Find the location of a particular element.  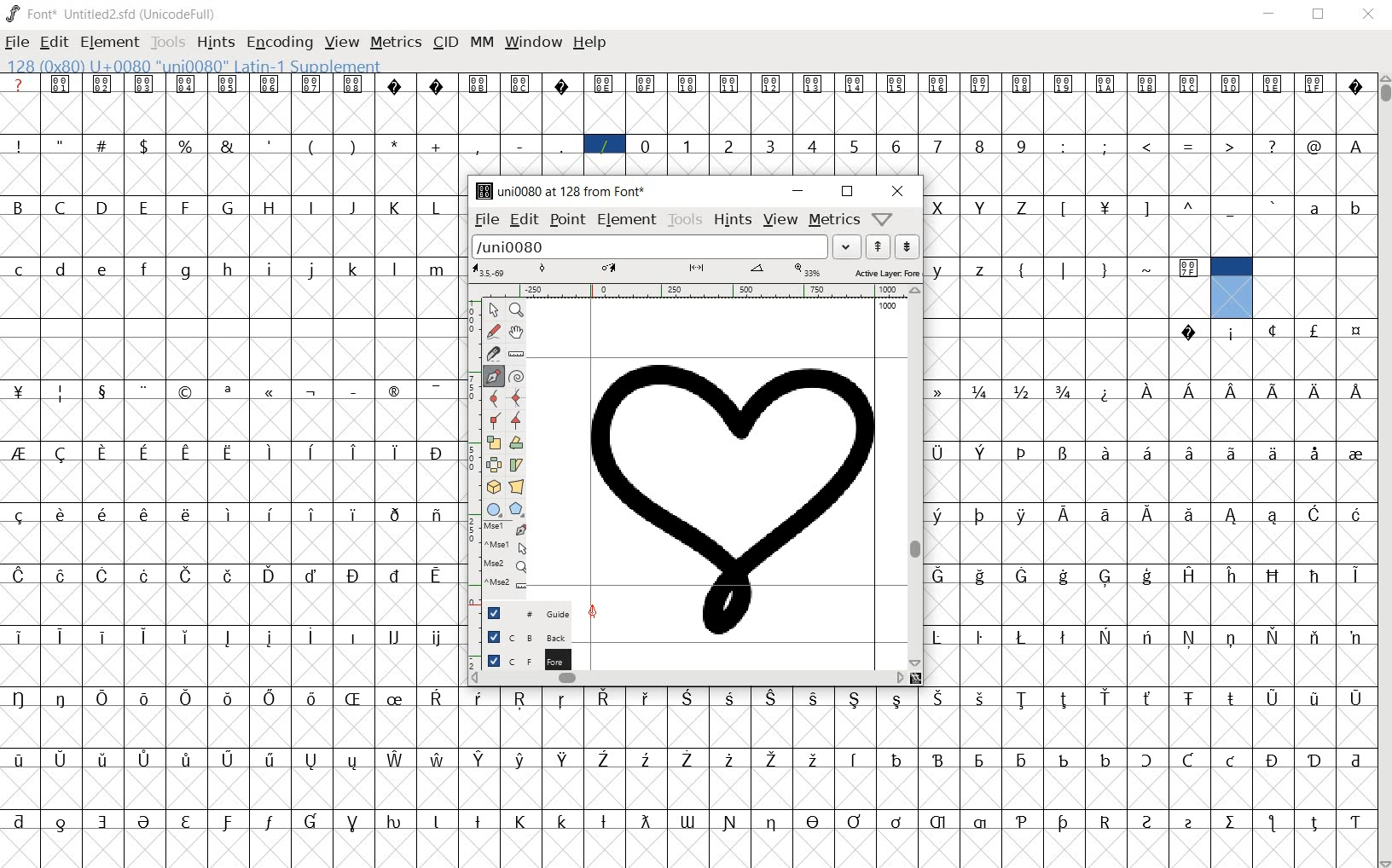

glyph is located at coordinates (1232, 453).